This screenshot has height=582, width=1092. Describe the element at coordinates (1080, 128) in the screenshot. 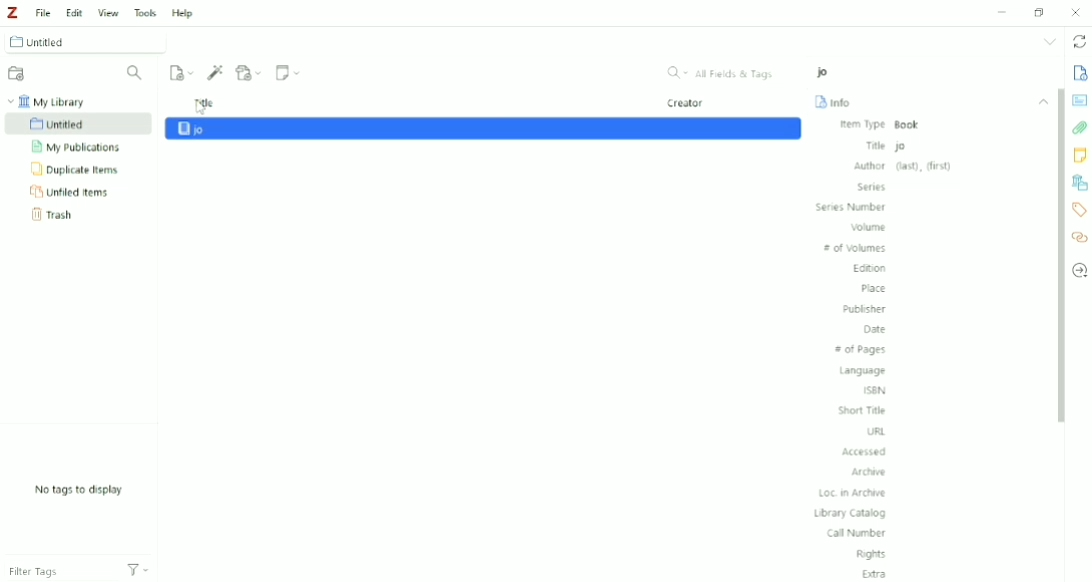

I see `Attachments` at that location.